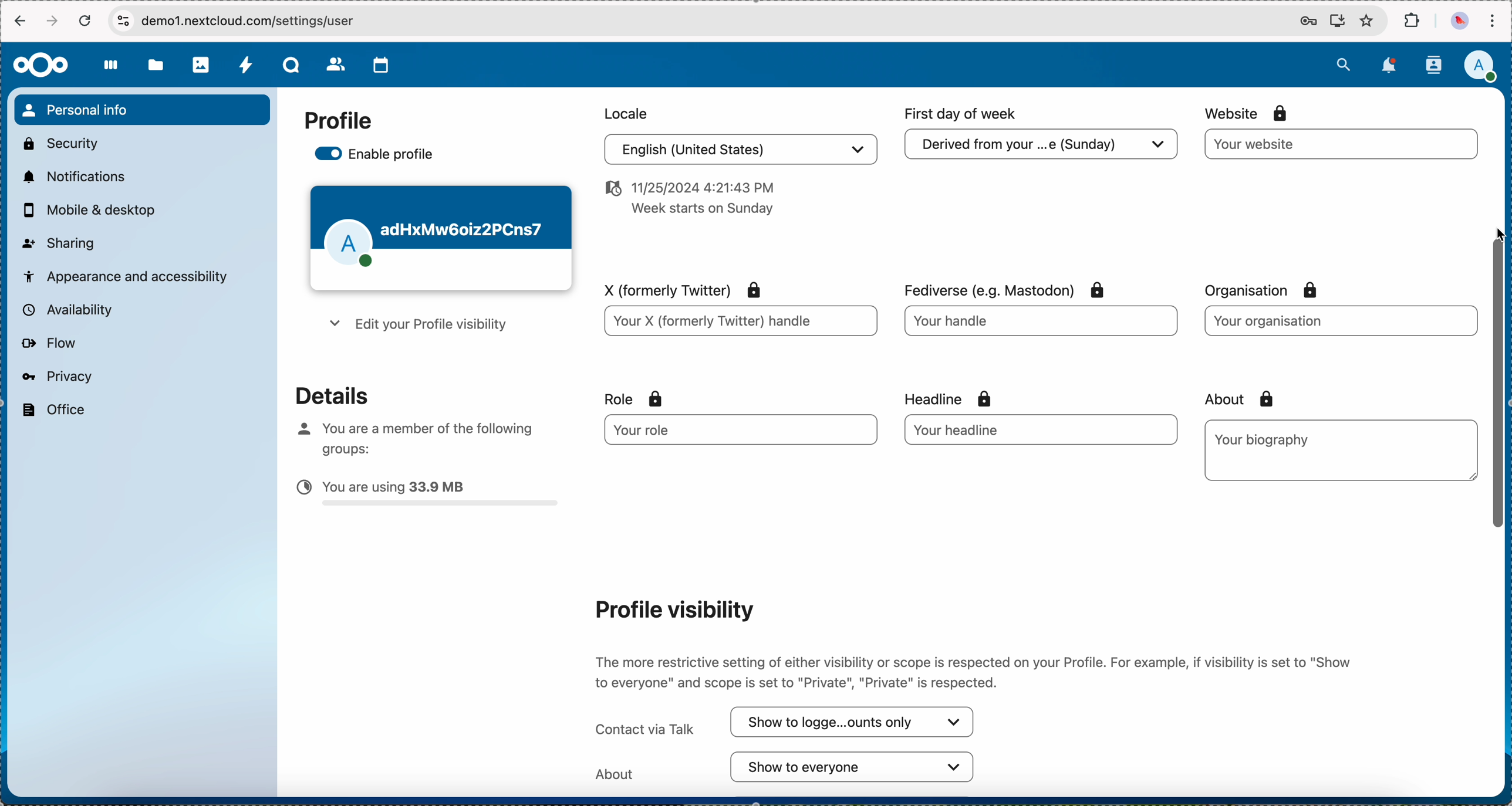 This screenshot has width=1512, height=806. Describe the element at coordinates (54, 21) in the screenshot. I see `navigate foward` at that location.